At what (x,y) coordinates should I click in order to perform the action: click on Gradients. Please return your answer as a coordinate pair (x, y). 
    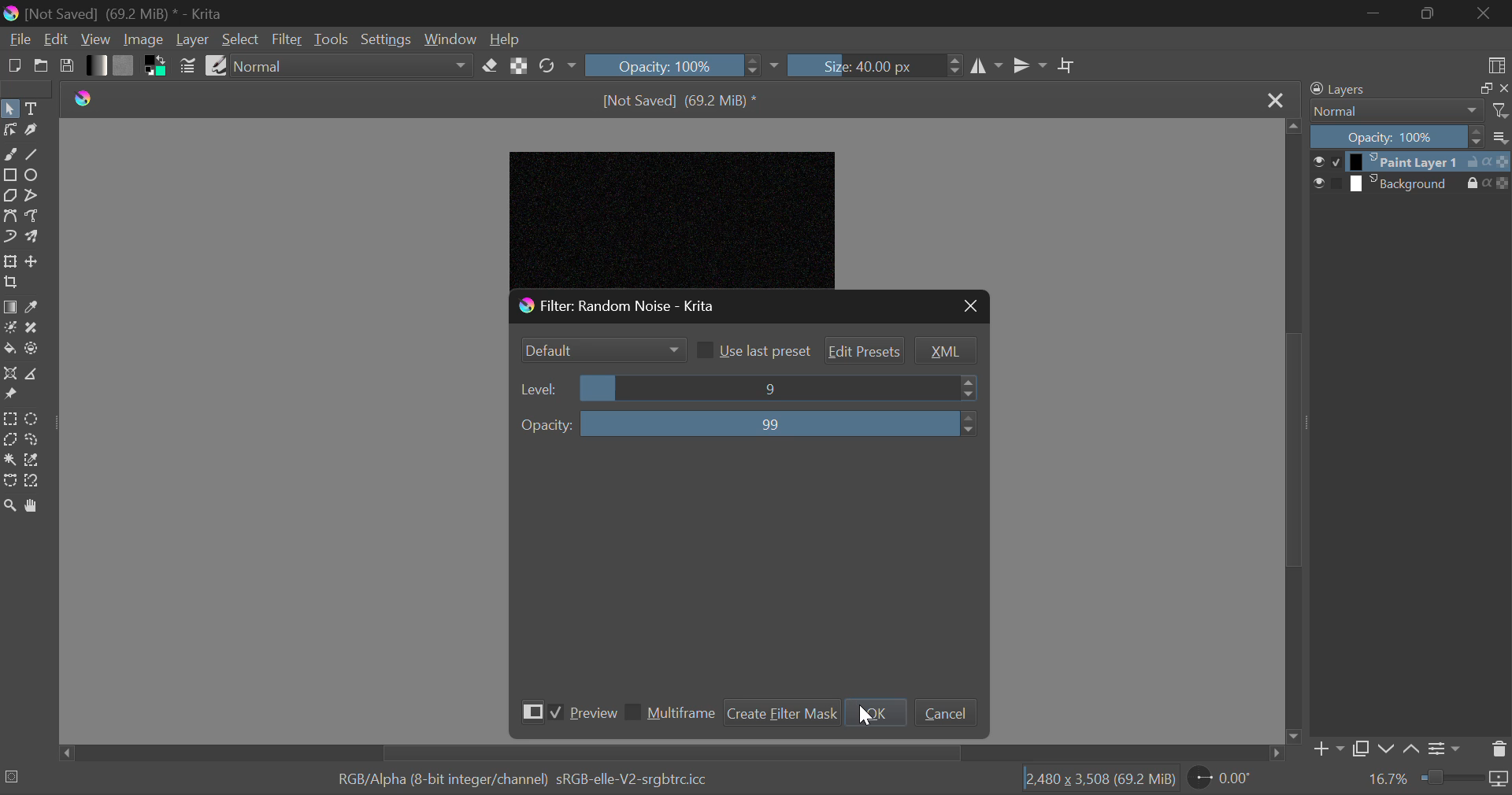
    Looking at the image, I should click on (95, 65).